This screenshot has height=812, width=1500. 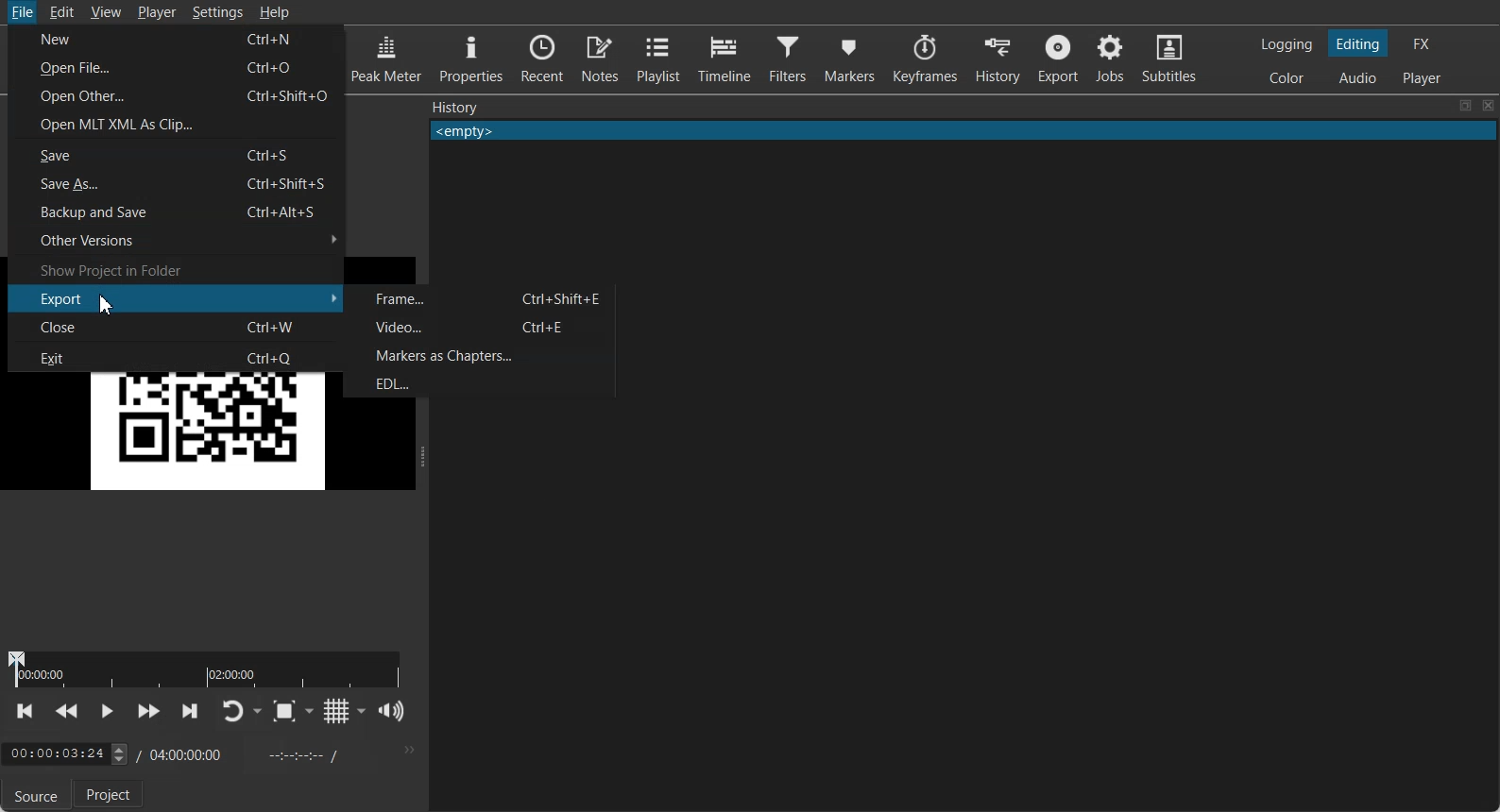 What do you see at coordinates (102, 40) in the screenshot?
I see `New` at bounding box center [102, 40].